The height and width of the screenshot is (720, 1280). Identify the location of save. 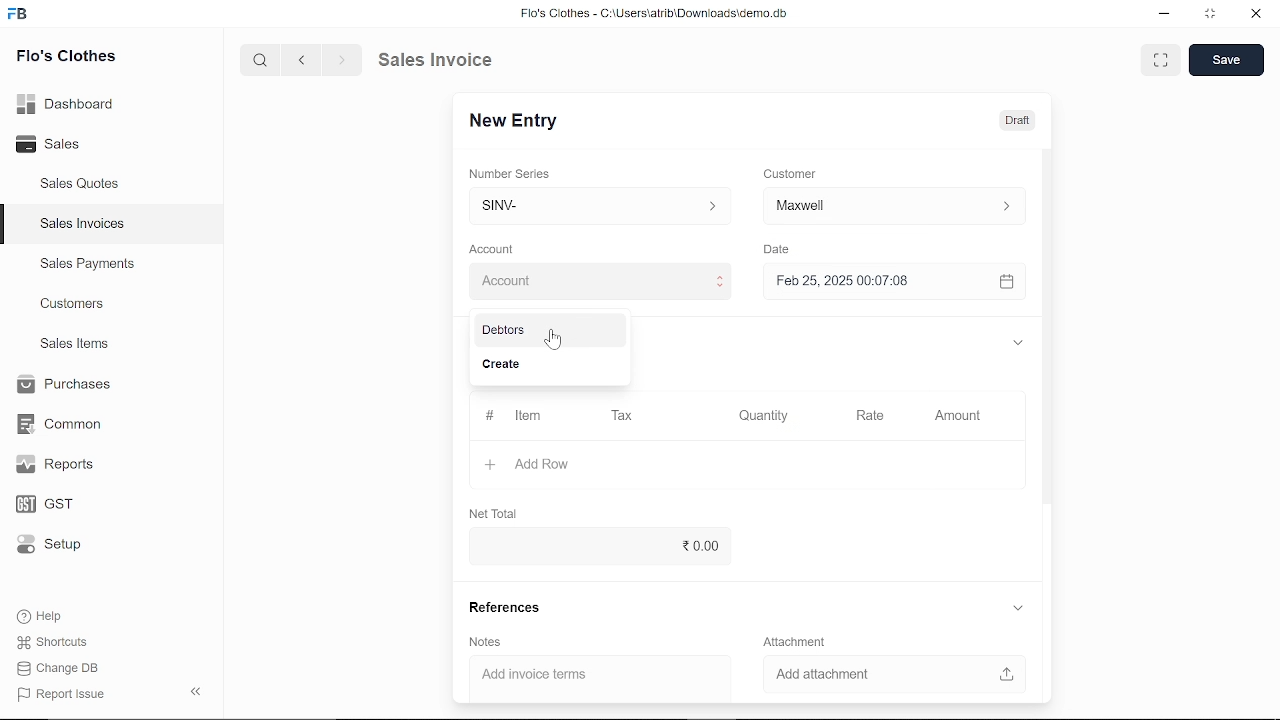
(1227, 60).